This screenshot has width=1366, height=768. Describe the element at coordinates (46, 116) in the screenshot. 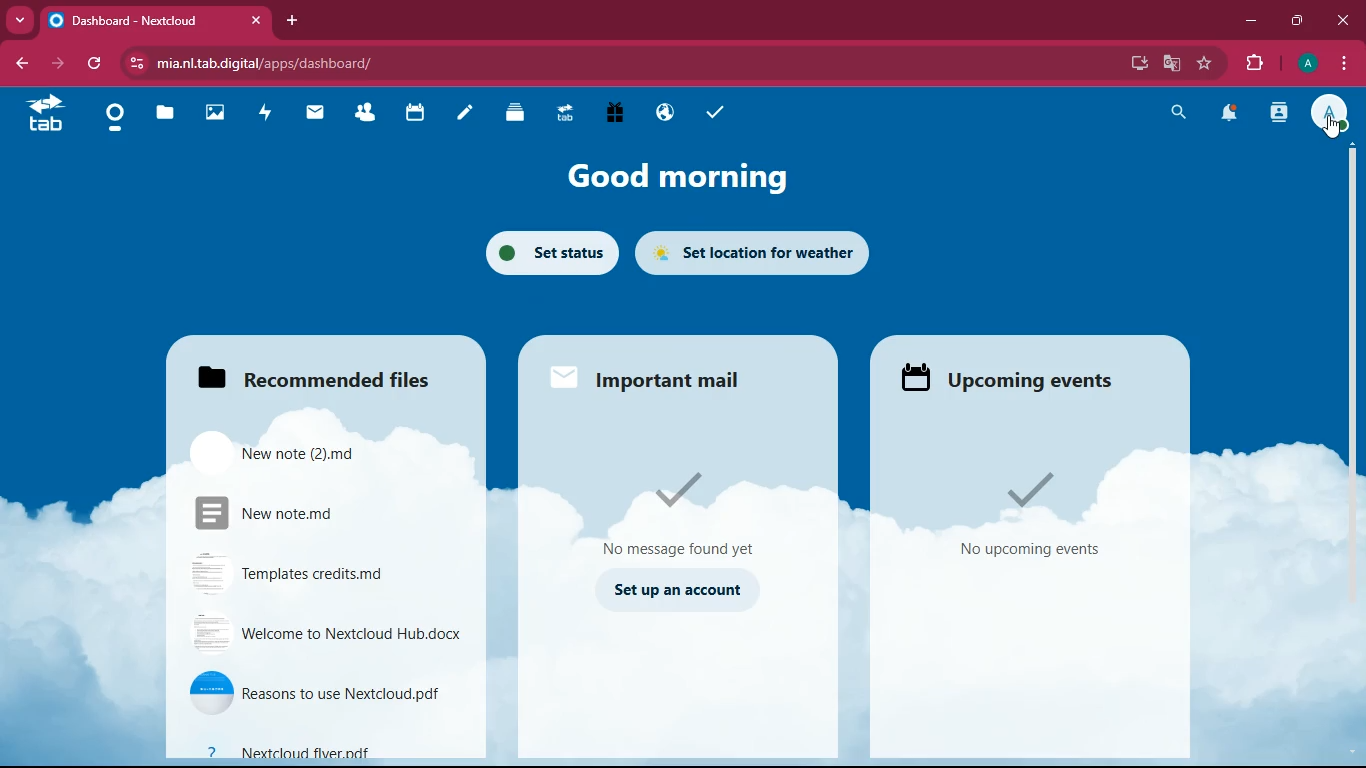

I see `tab` at that location.